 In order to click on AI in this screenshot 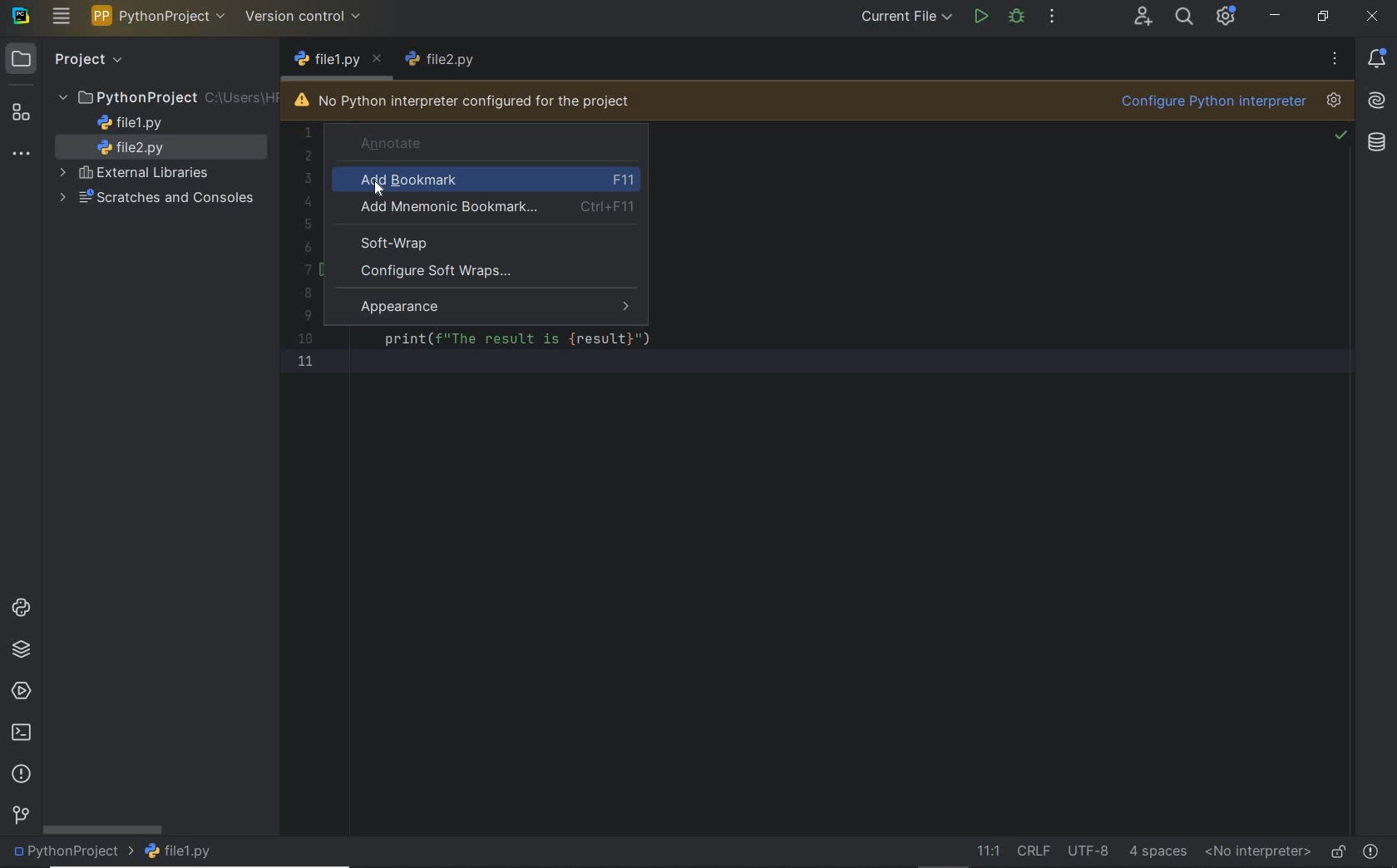, I will do `click(1377, 102)`.